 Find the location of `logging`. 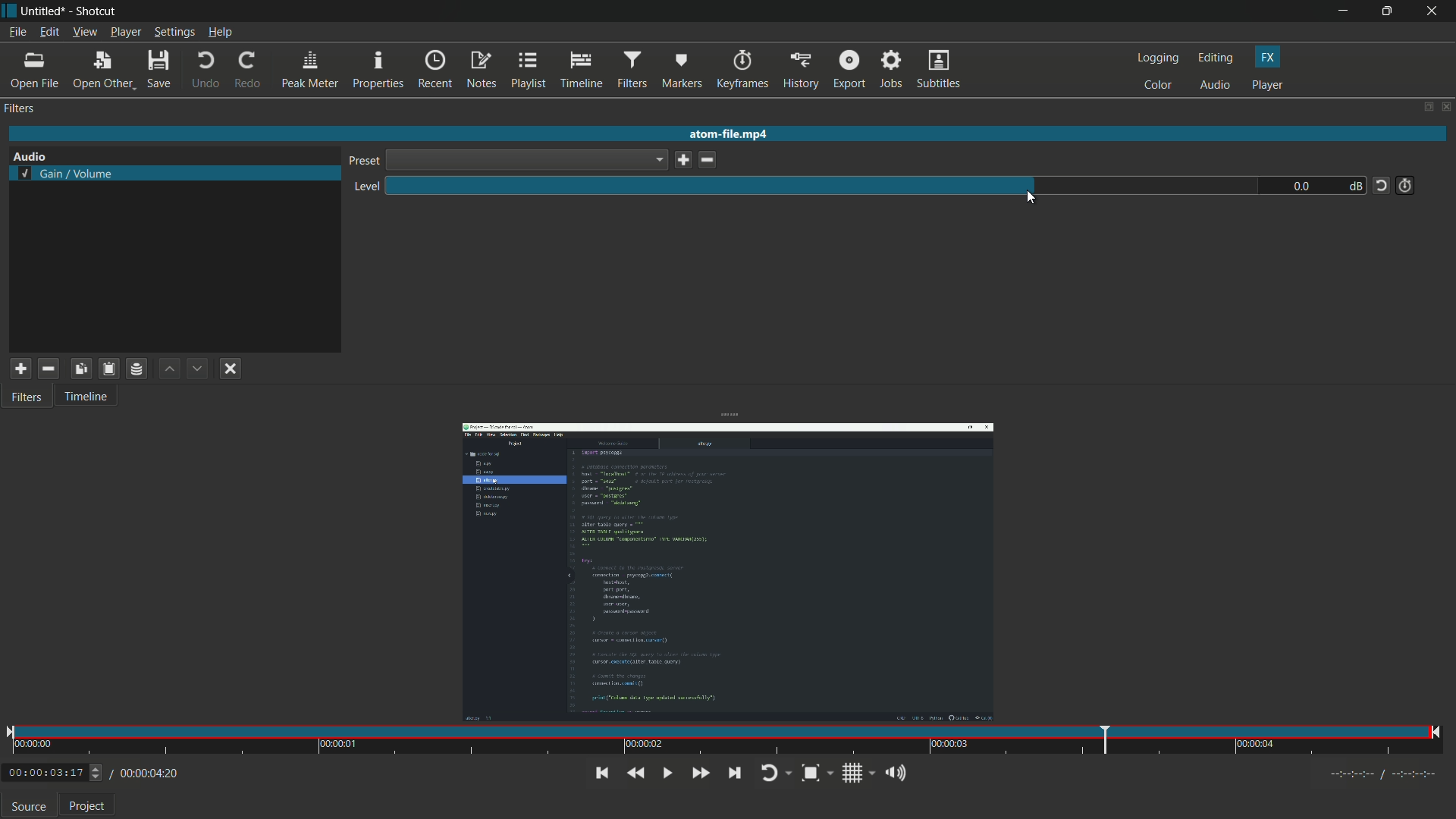

logging is located at coordinates (1157, 58).